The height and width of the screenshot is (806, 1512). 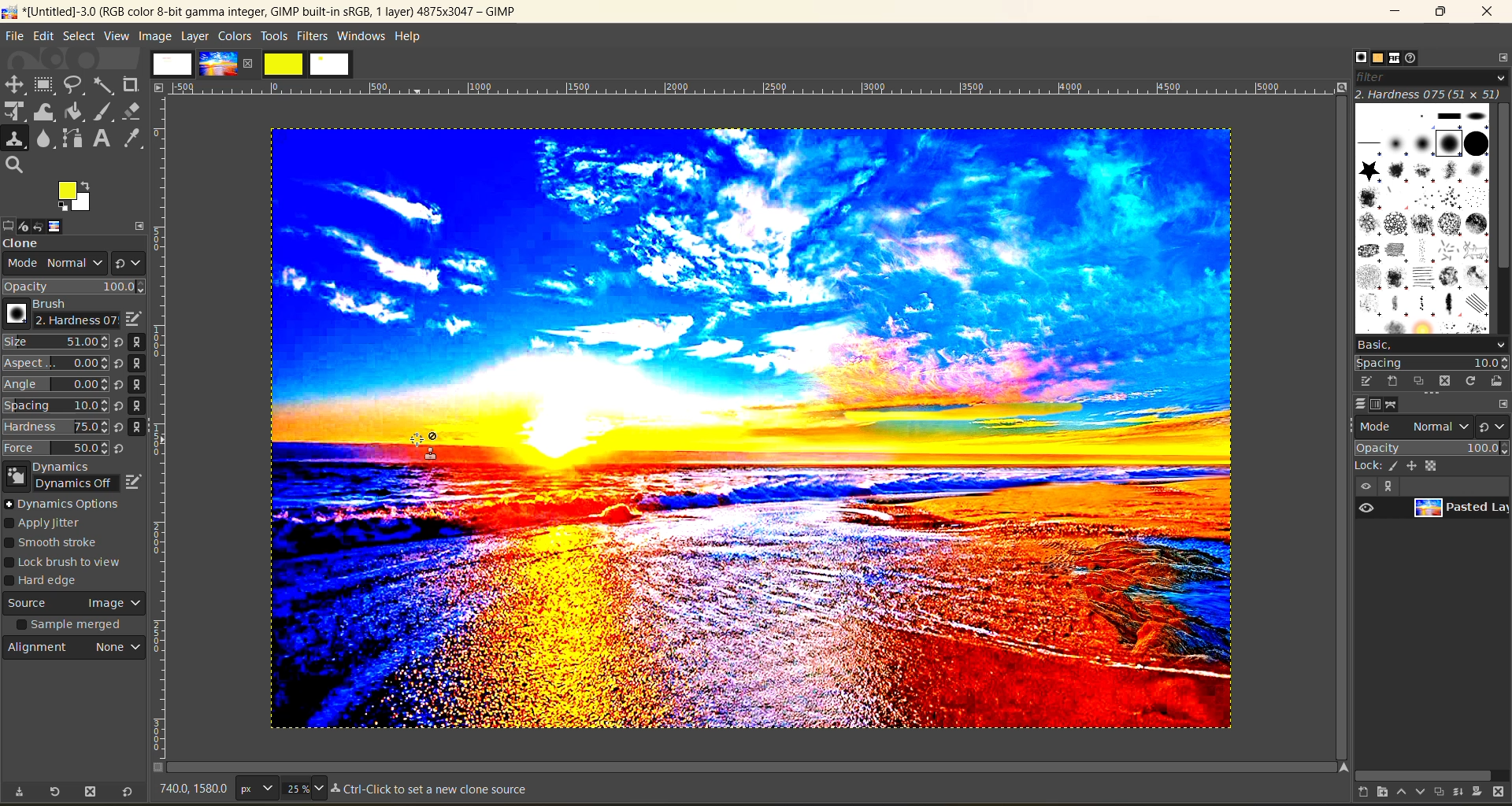 What do you see at coordinates (46, 113) in the screenshot?
I see `wrap transform` at bounding box center [46, 113].